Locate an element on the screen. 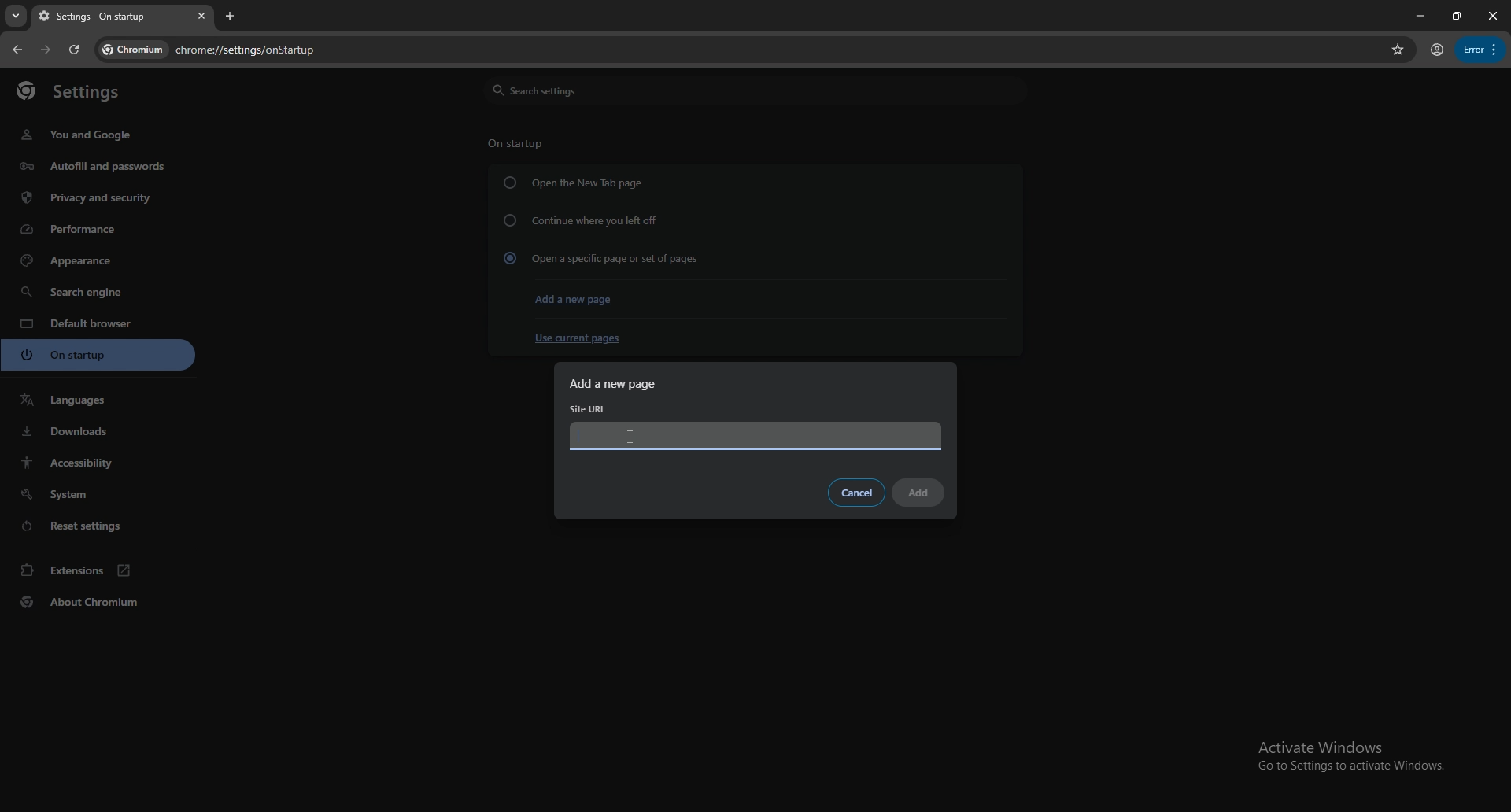 Image resolution: width=1511 pixels, height=812 pixels. back is located at coordinates (17, 50).